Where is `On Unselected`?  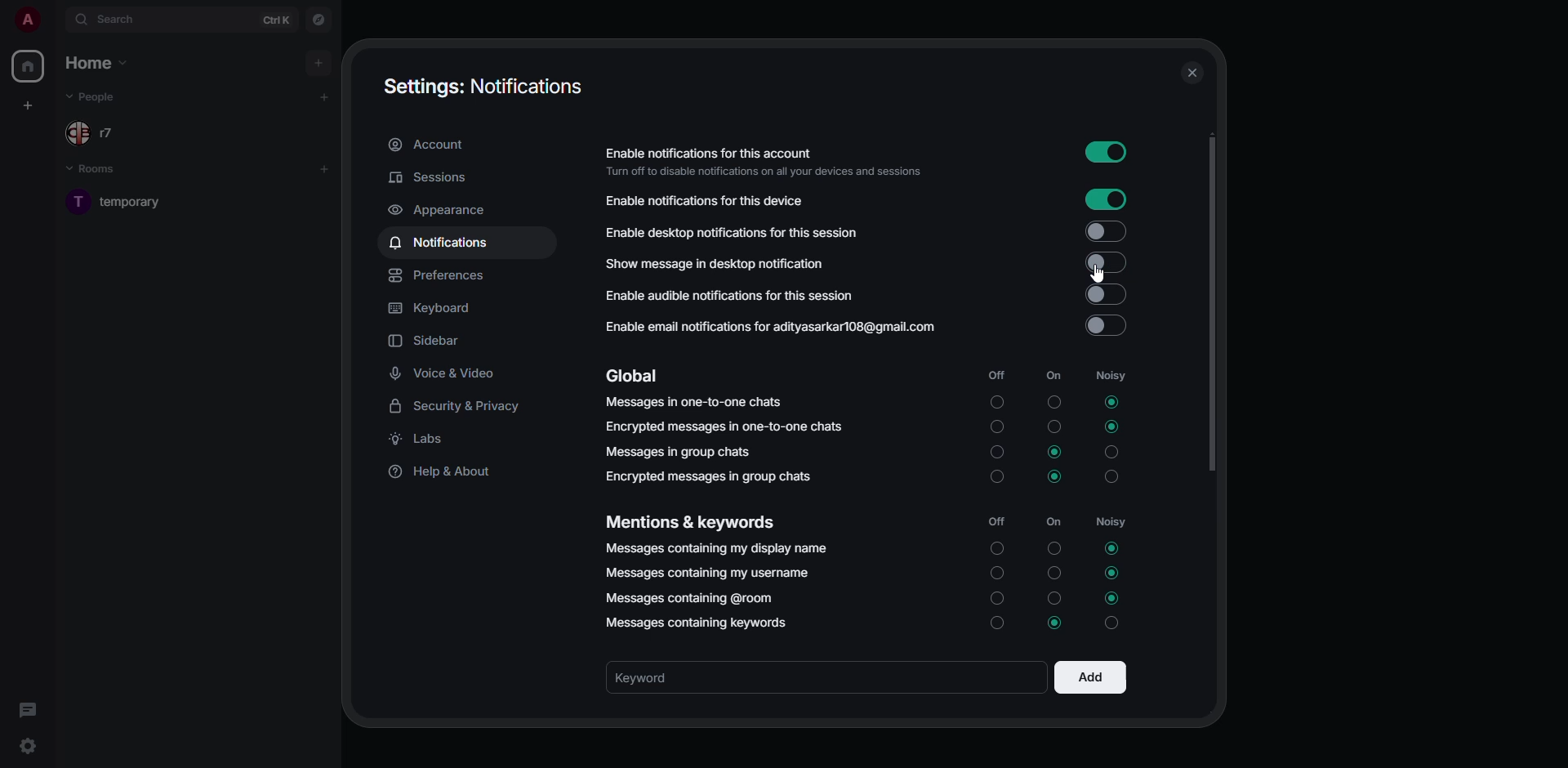 On Unselected is located at coordinates (1058, 572).